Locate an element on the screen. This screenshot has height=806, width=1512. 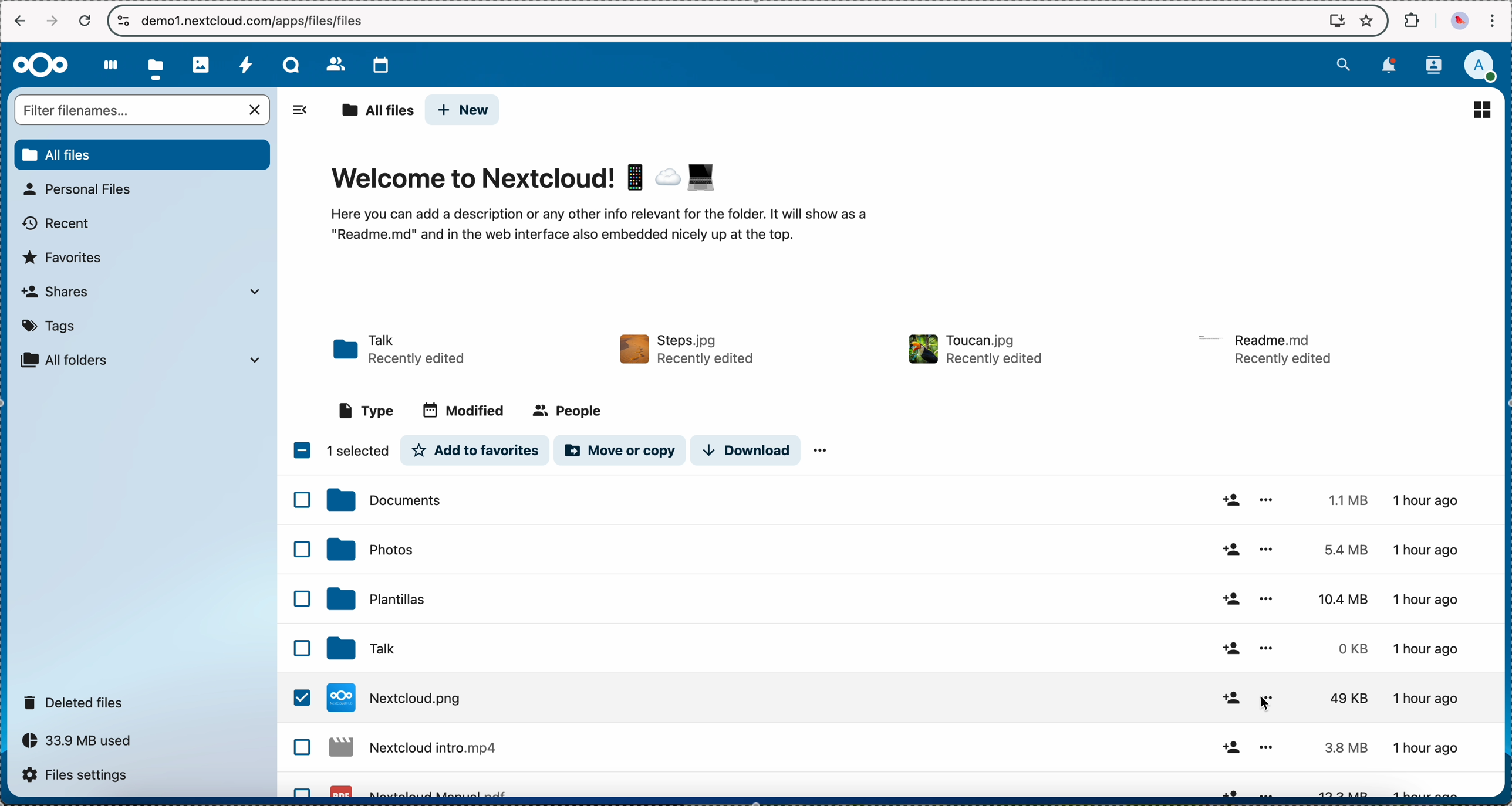
1 item selected is located at coordinates (342, 451).